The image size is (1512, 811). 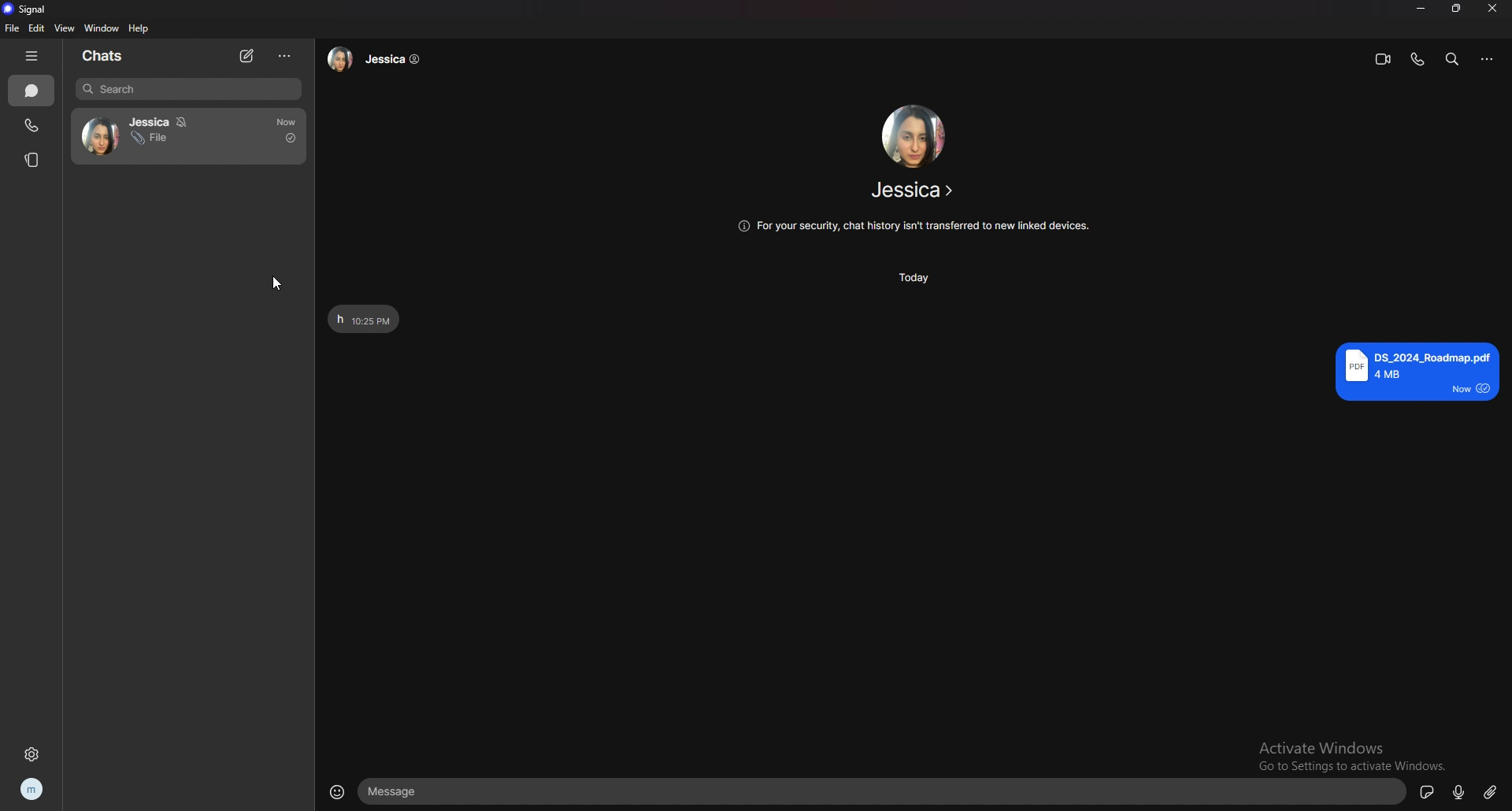 I want to click on time, so click(x=919, y=277).